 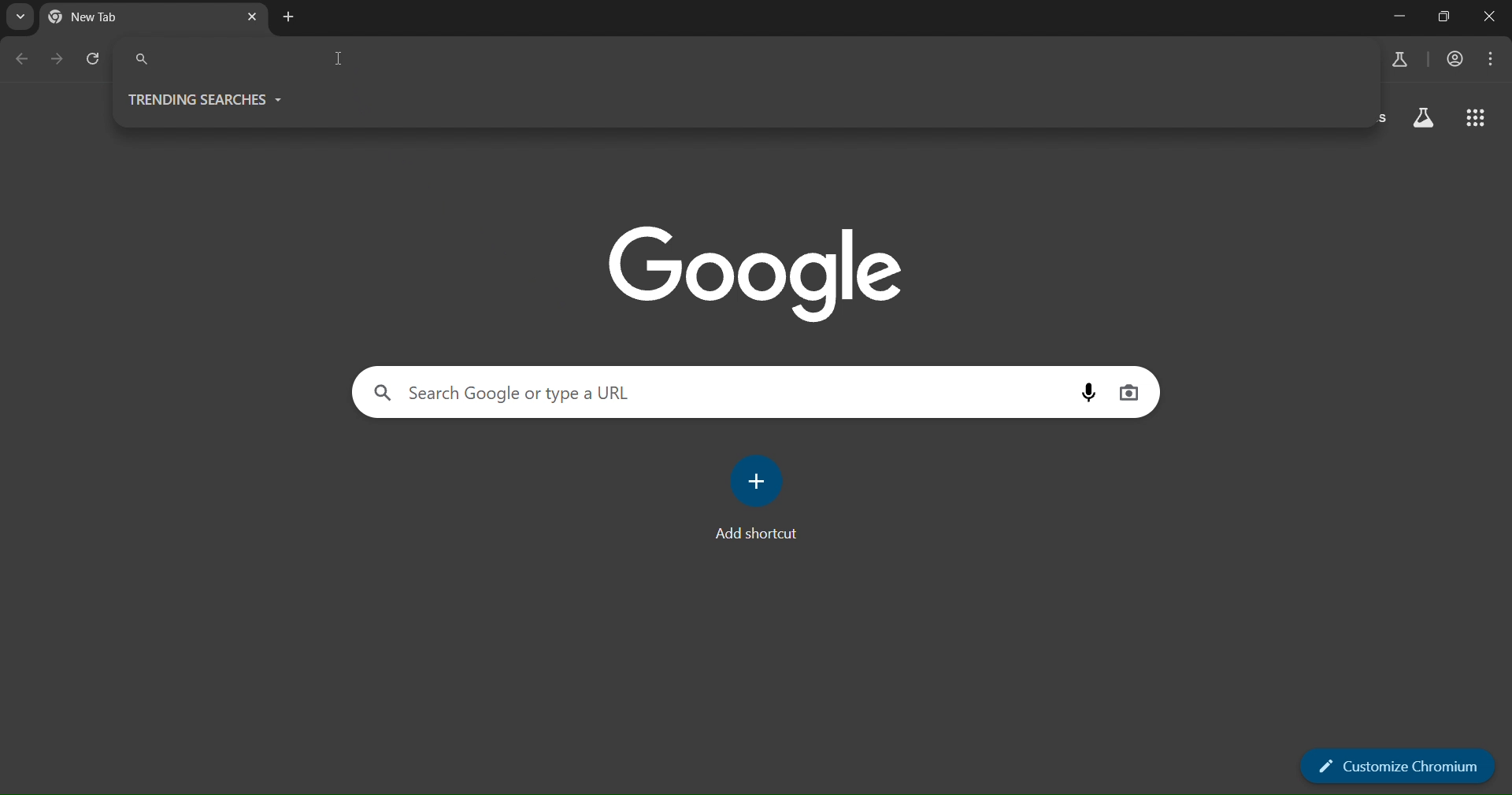 I want to click on new tab, so click(x=254, y=17).